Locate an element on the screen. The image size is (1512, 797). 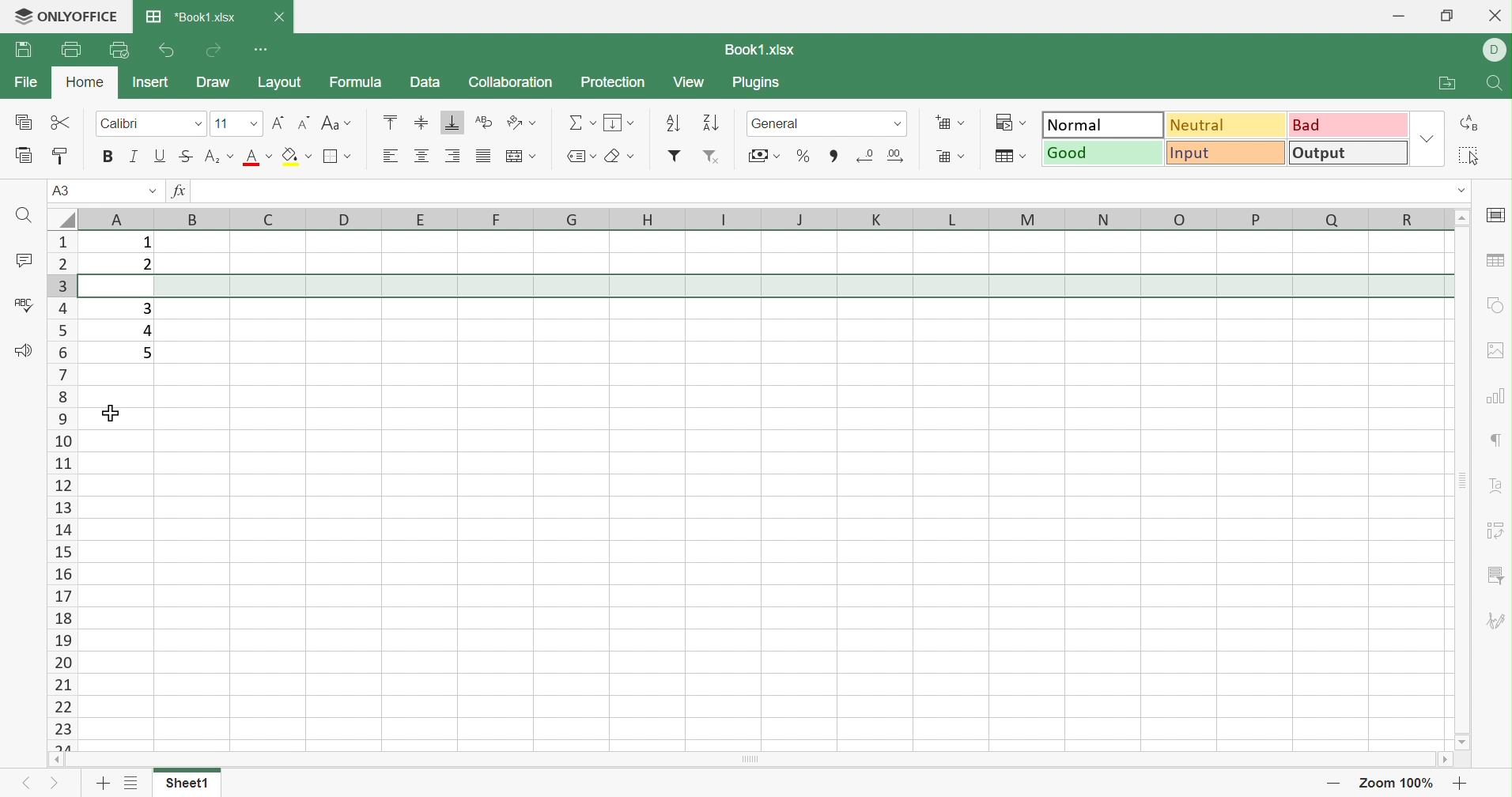
Drop Down is located at coordinates (536, 123).